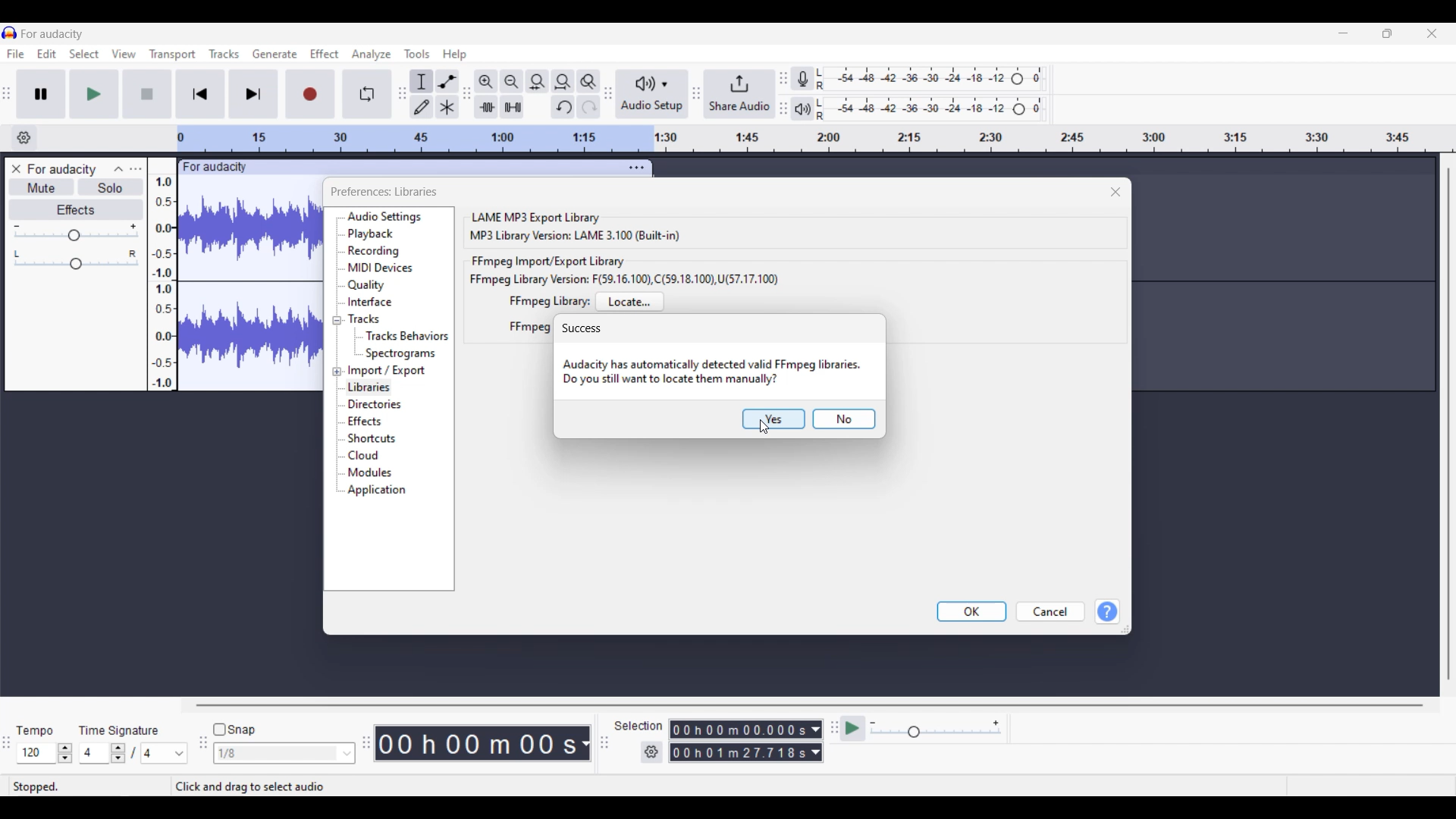  What do you see at coordinates (651, 94) in the screenshot?
I see `Audio setup` at bounding box center [651, 94].